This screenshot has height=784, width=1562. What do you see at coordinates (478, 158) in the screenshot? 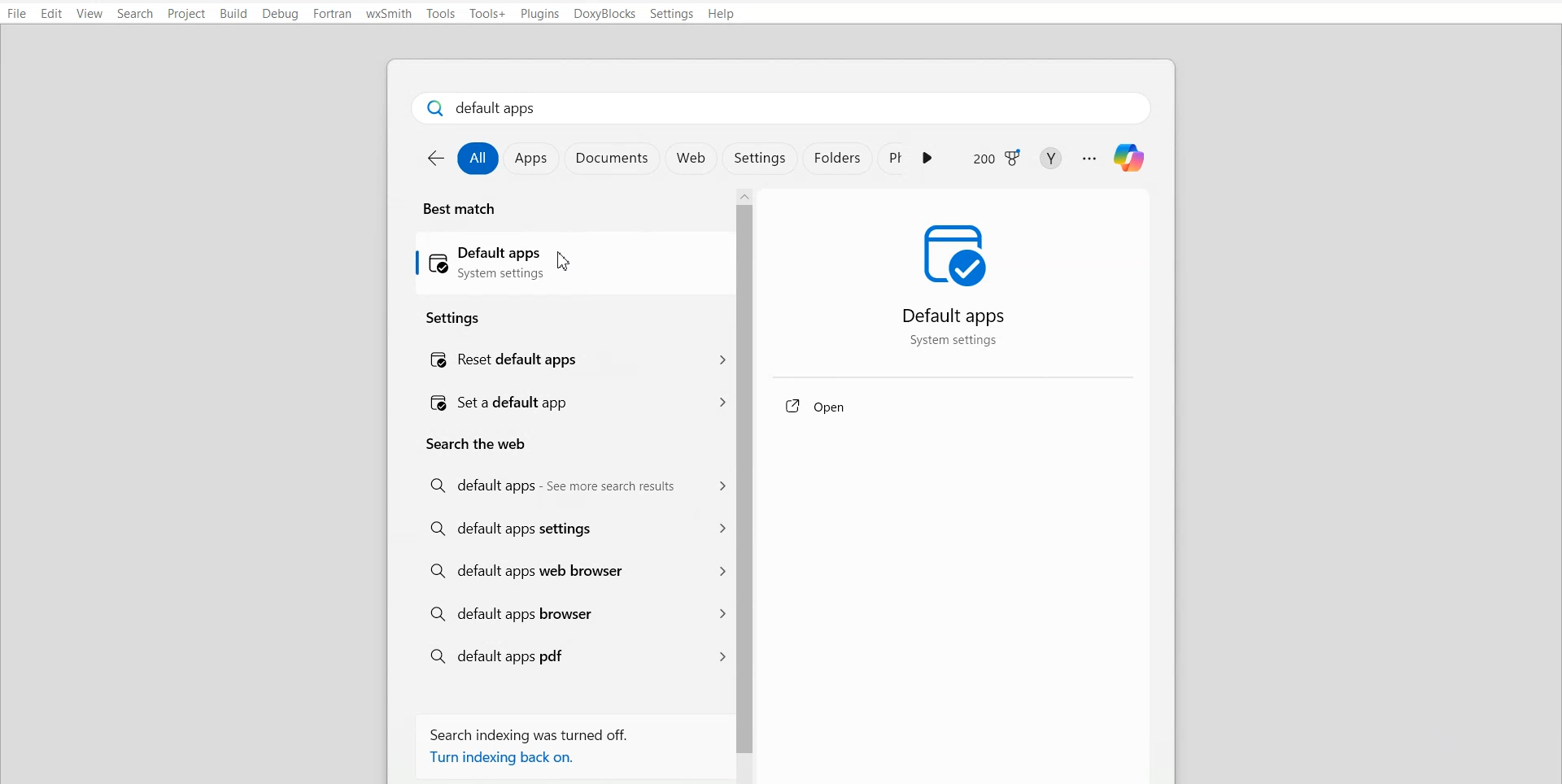
I see `All` at bounding box center [478, 158].